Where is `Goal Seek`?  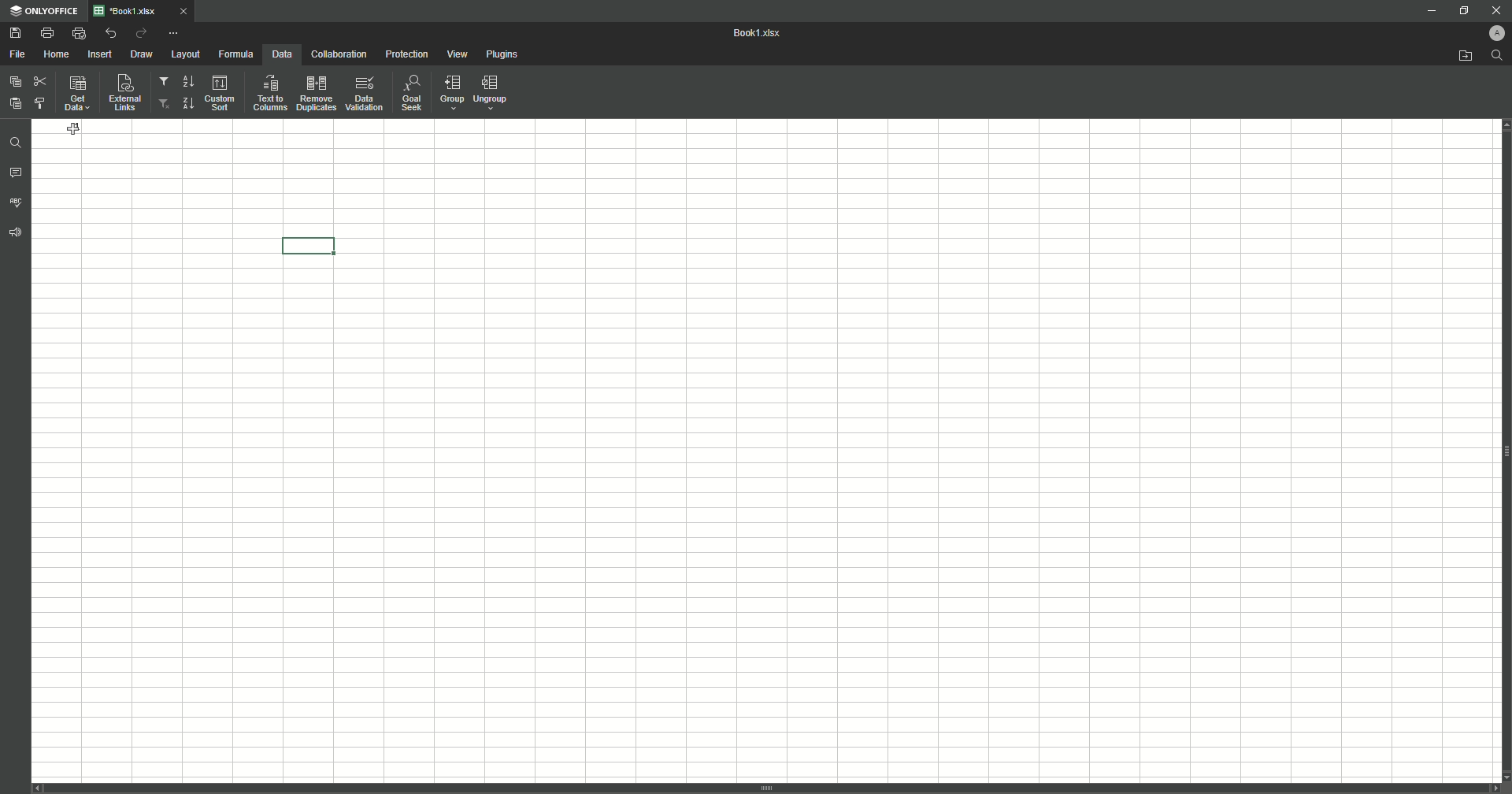 Goal Seek is located at coordinates (410, 95).